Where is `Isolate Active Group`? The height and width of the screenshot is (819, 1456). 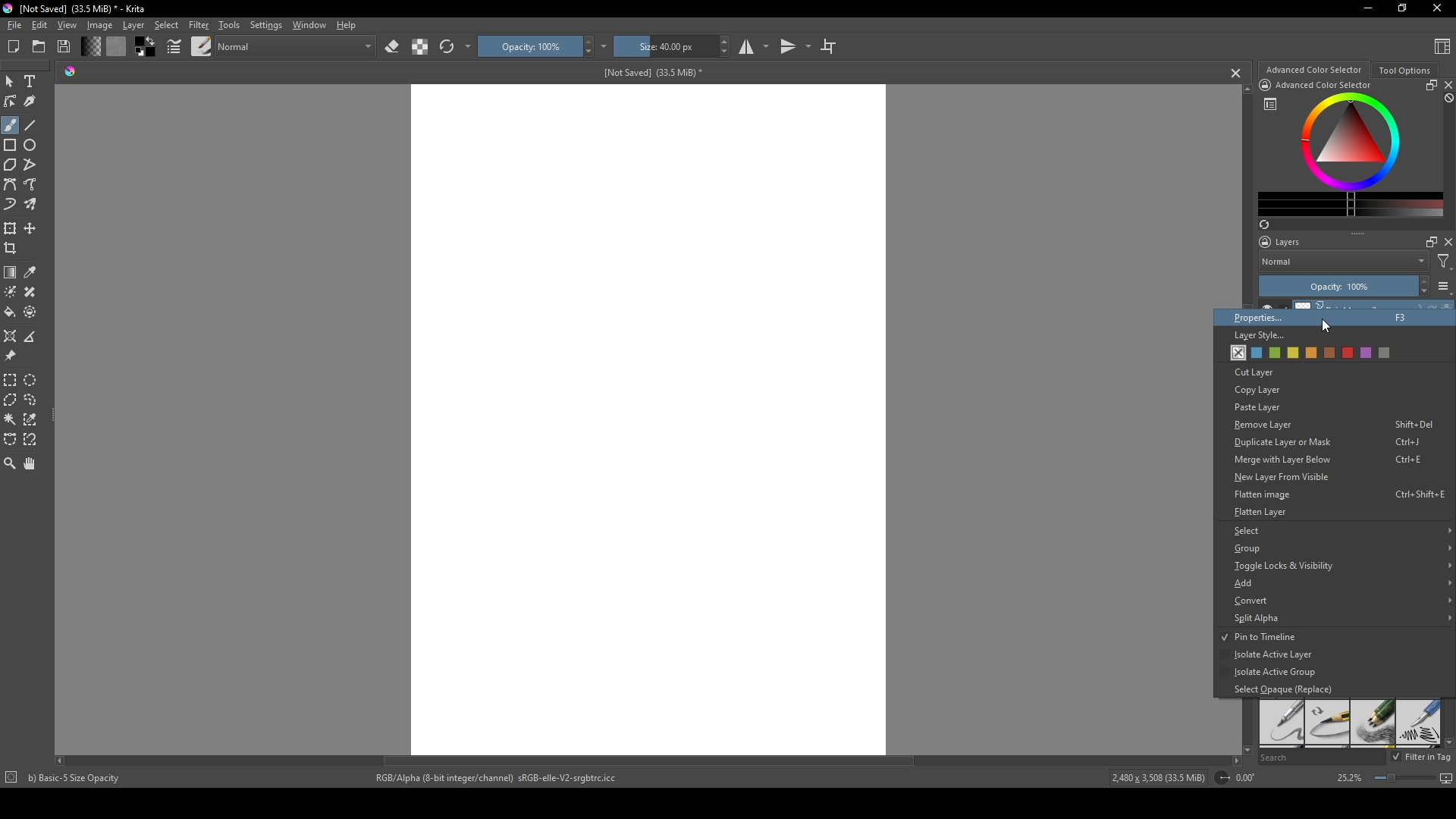
Isolate Active Group is located at coordinates (1276, 673).